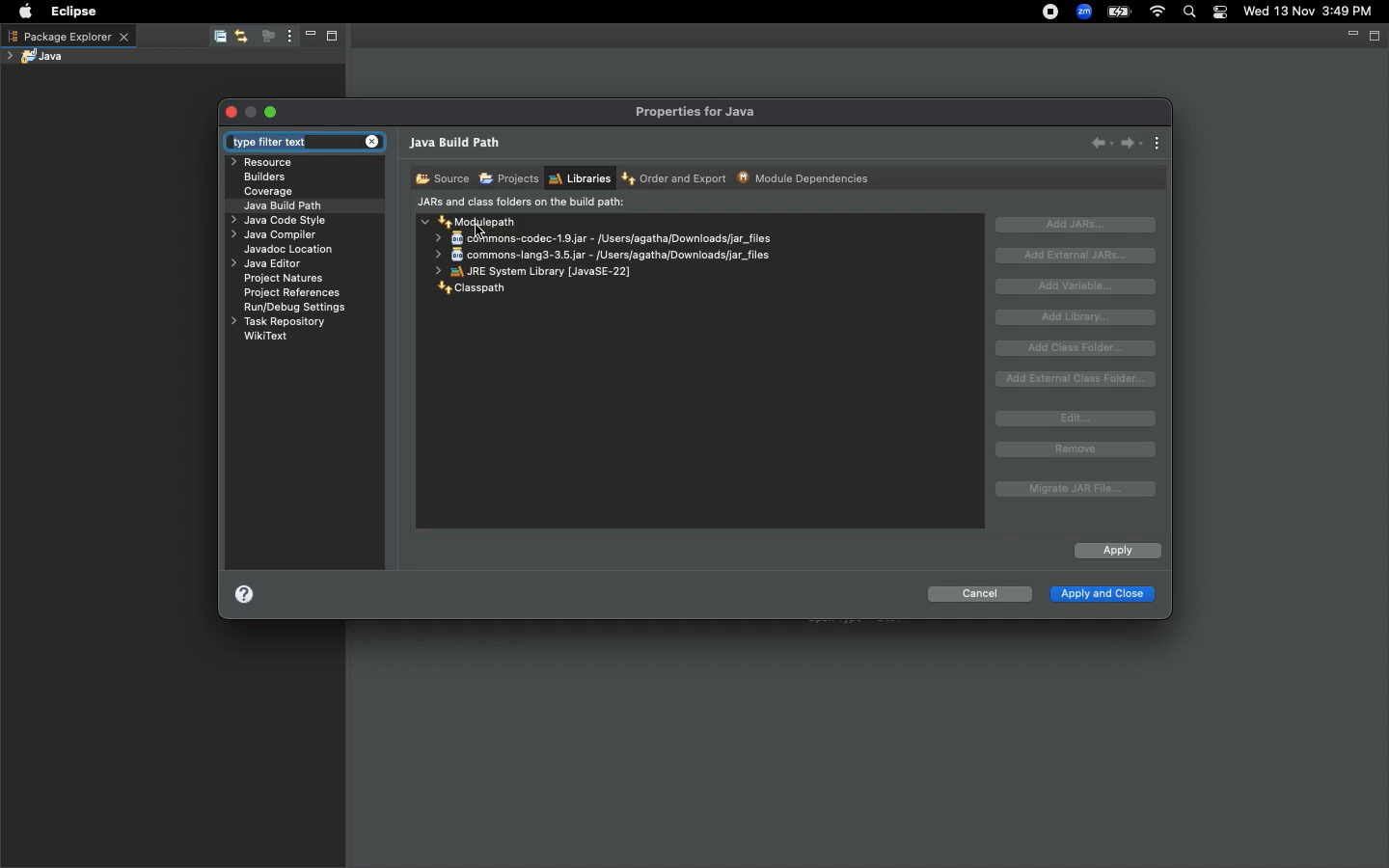 This screenshot has width=1389, height=868. What do you see at coordinates (1222, 13) in the screenshot?
I see `Notification` at bounding box center [1222, 13].